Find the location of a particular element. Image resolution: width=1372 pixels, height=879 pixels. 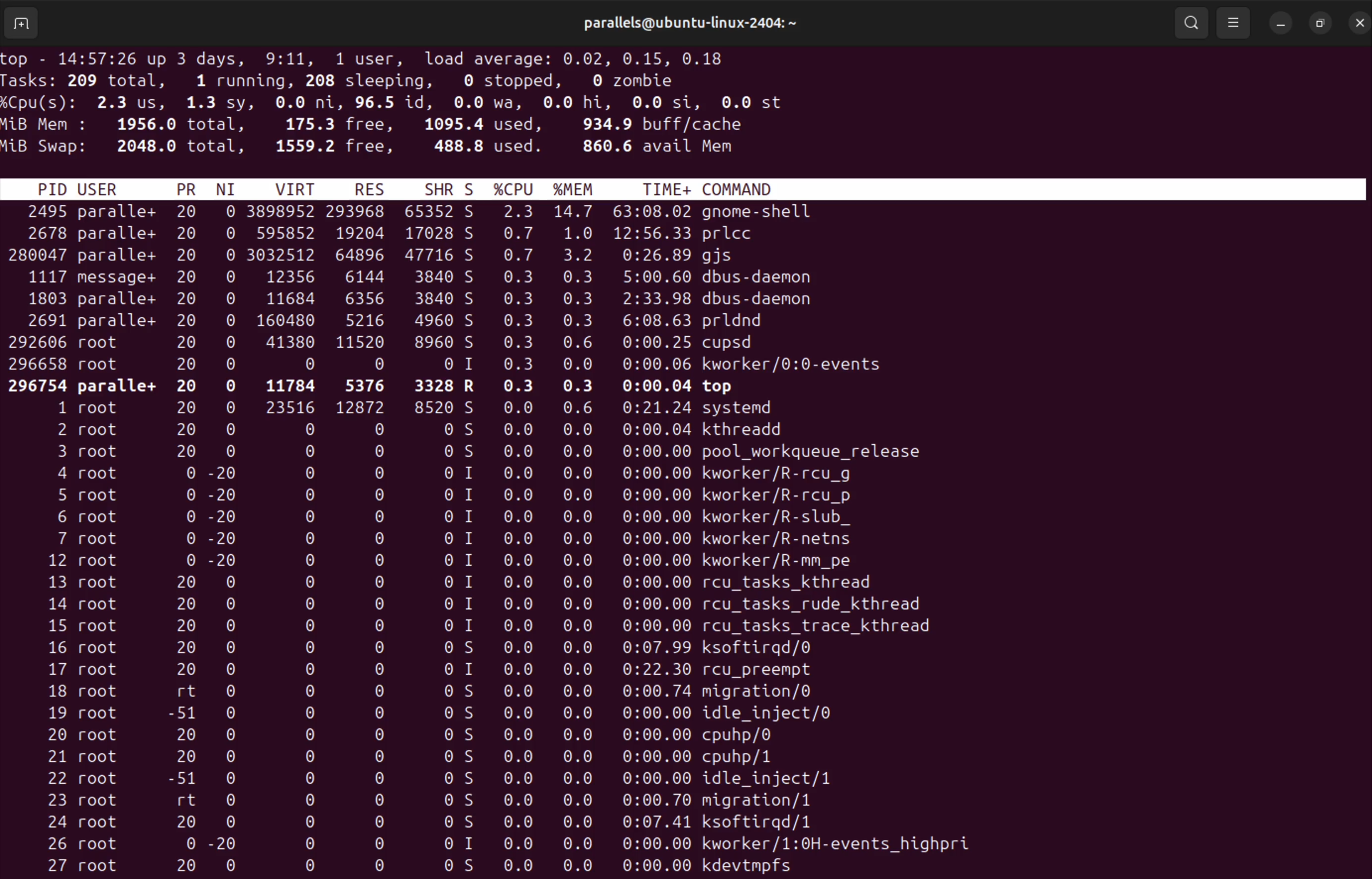

bash prompt is located at coordinates (1357, 23).